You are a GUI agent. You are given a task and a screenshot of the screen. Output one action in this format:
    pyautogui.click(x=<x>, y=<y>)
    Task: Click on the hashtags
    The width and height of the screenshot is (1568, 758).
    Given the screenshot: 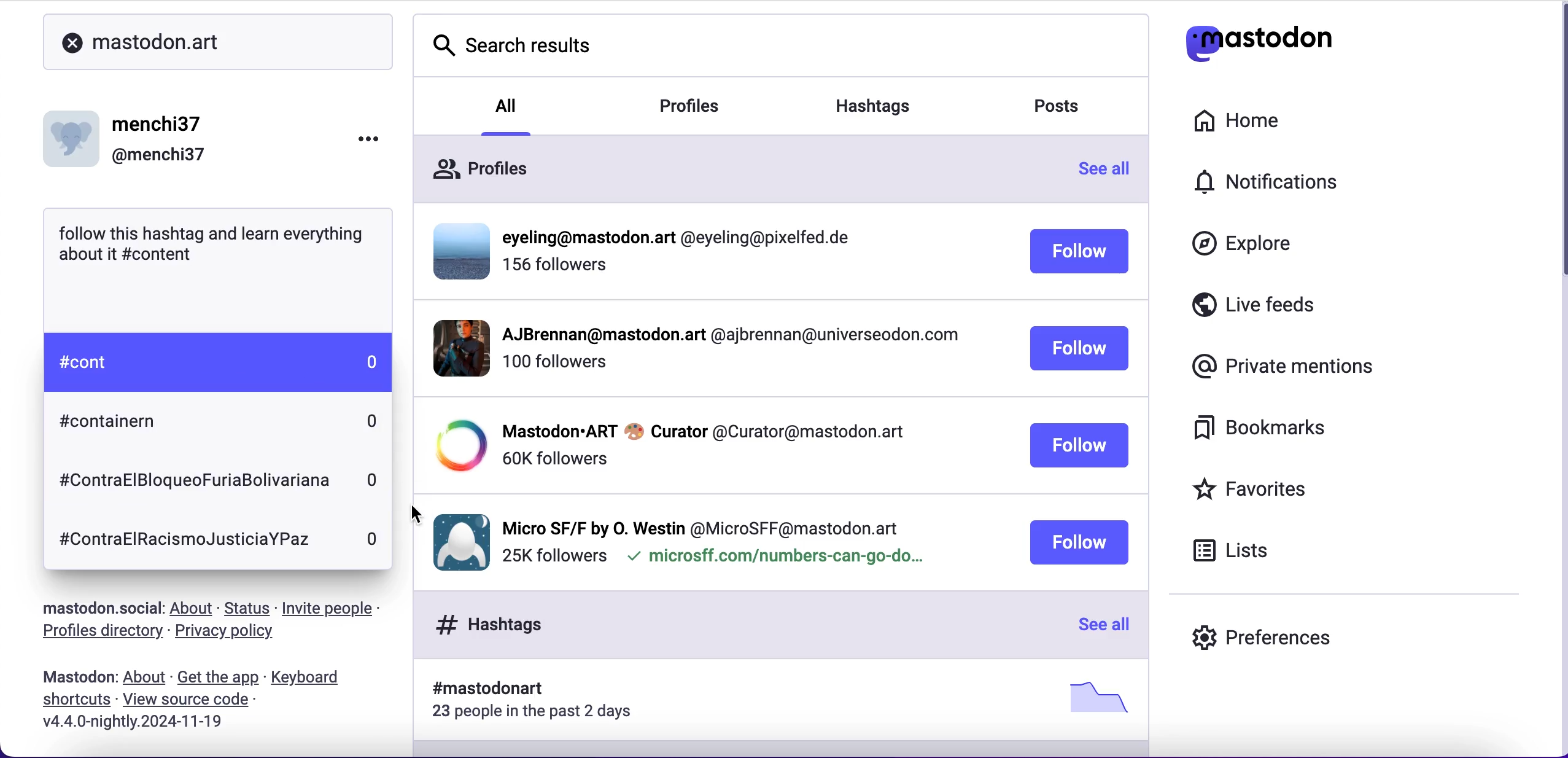 What is the action you would take?
    pyautogui.click(x=483, y=624)
    